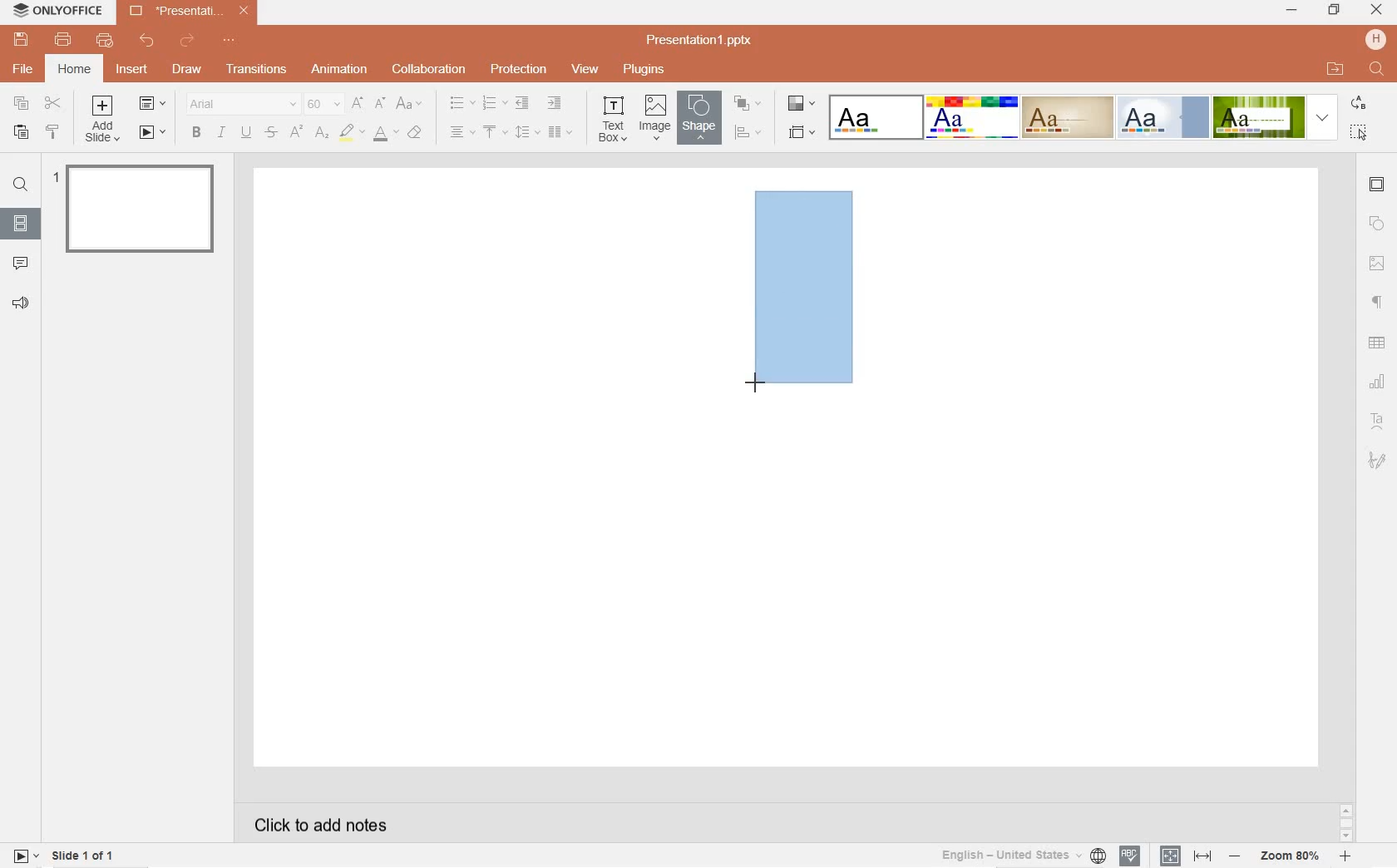  I want to click on bullet, so click(462, 103).